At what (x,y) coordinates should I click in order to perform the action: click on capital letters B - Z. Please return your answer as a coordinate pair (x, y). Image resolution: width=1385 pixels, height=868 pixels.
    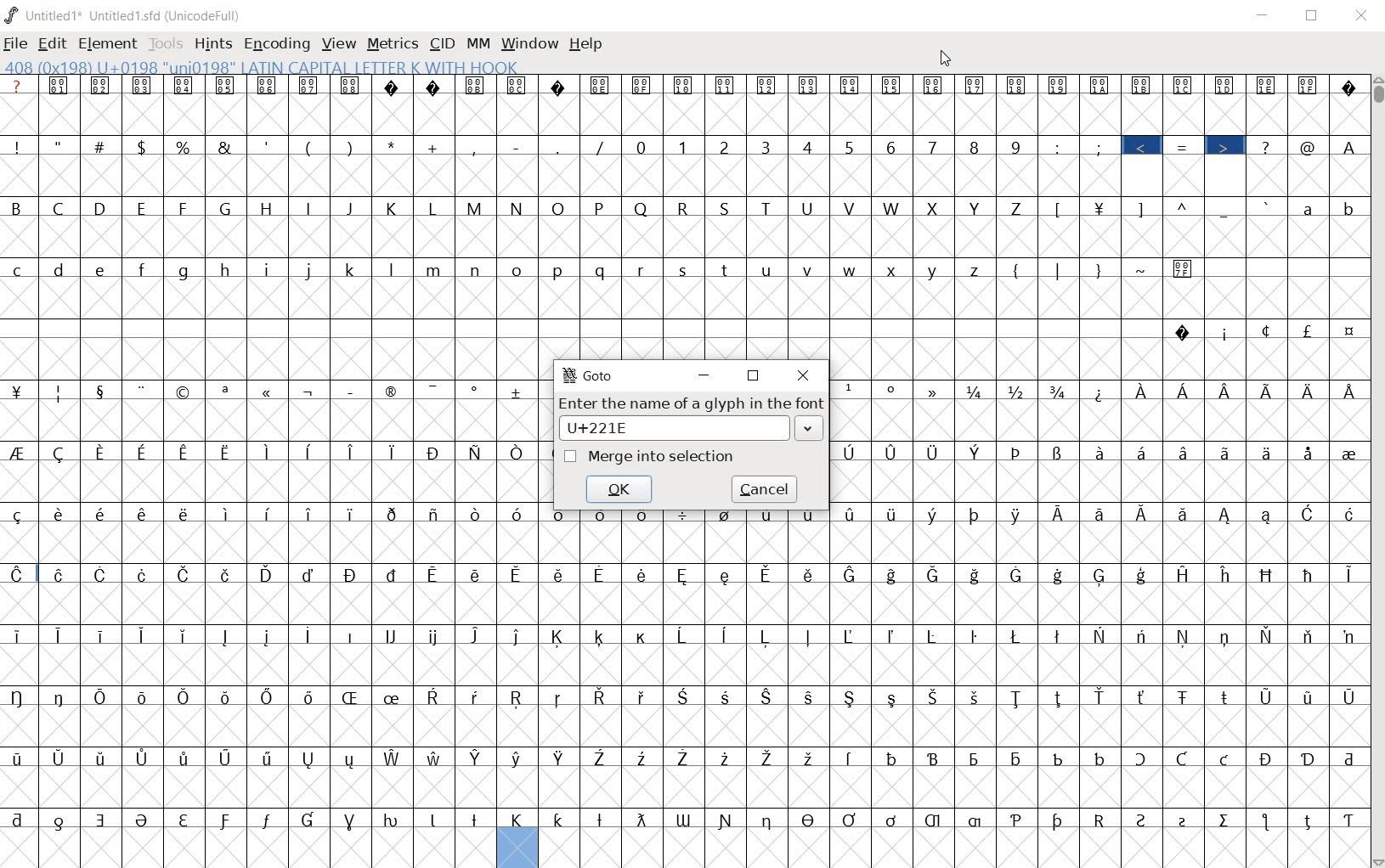
    Looking at the image, I should click on (516, 206).